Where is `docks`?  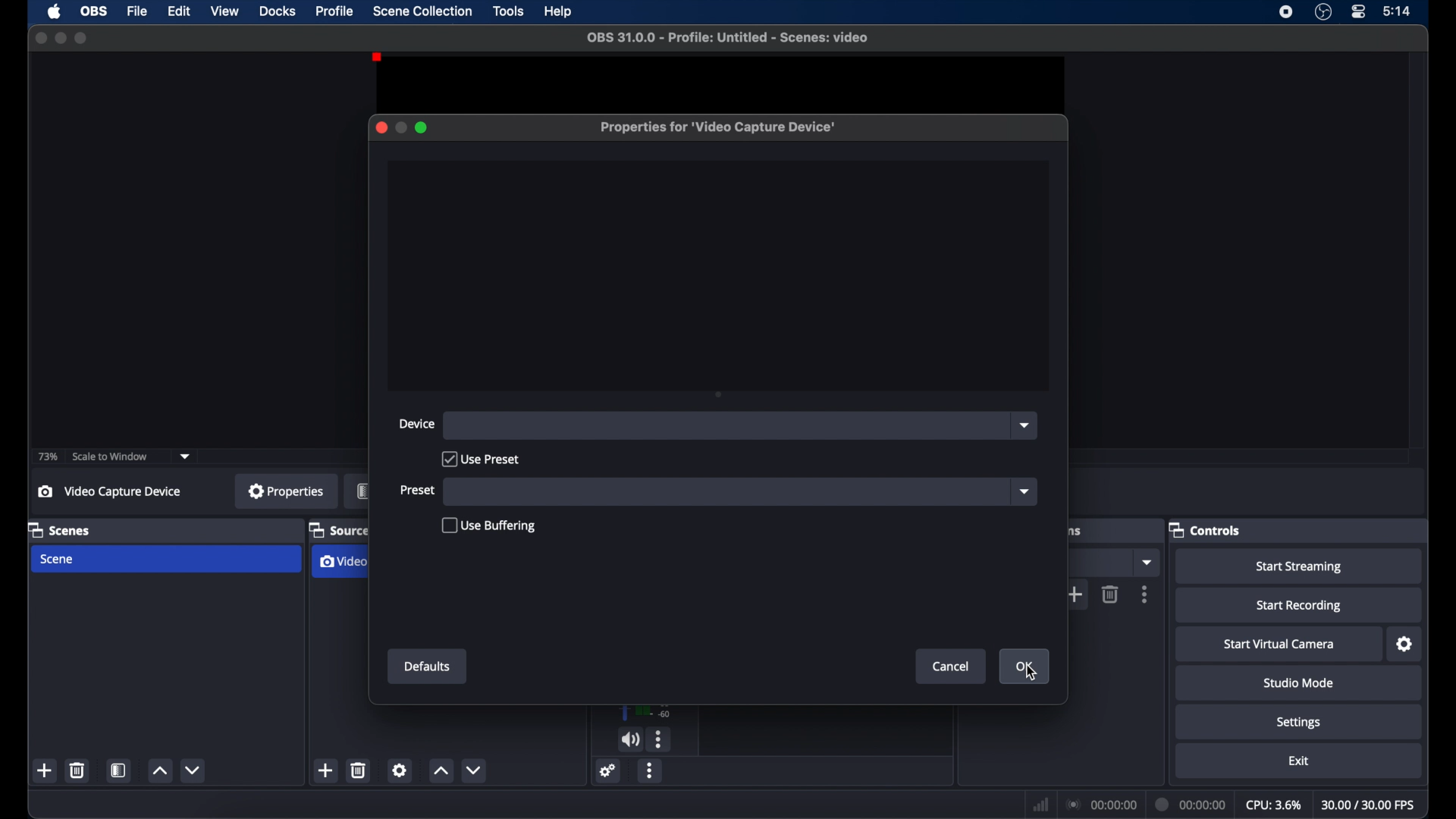
docks is located at coordinates (278, 11).